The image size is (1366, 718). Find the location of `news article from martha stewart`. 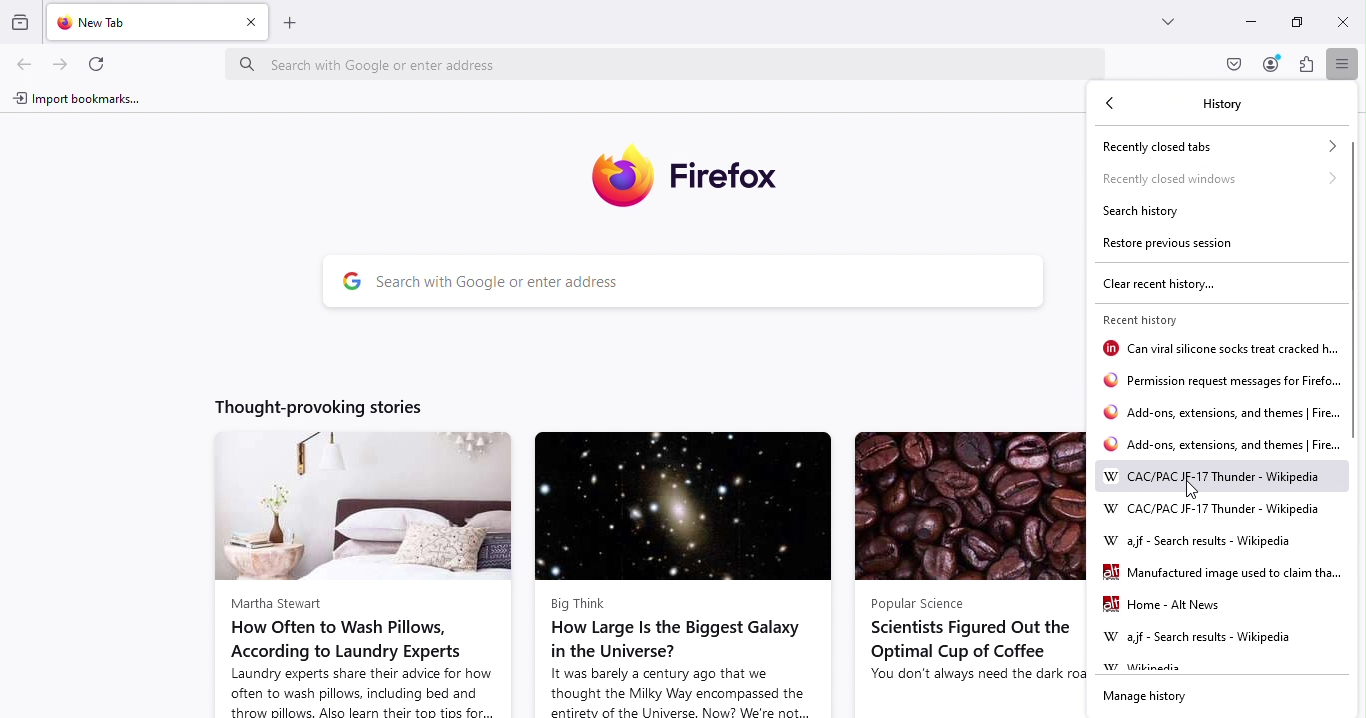

news article from martha stewart is located at coordinates (357, 576).